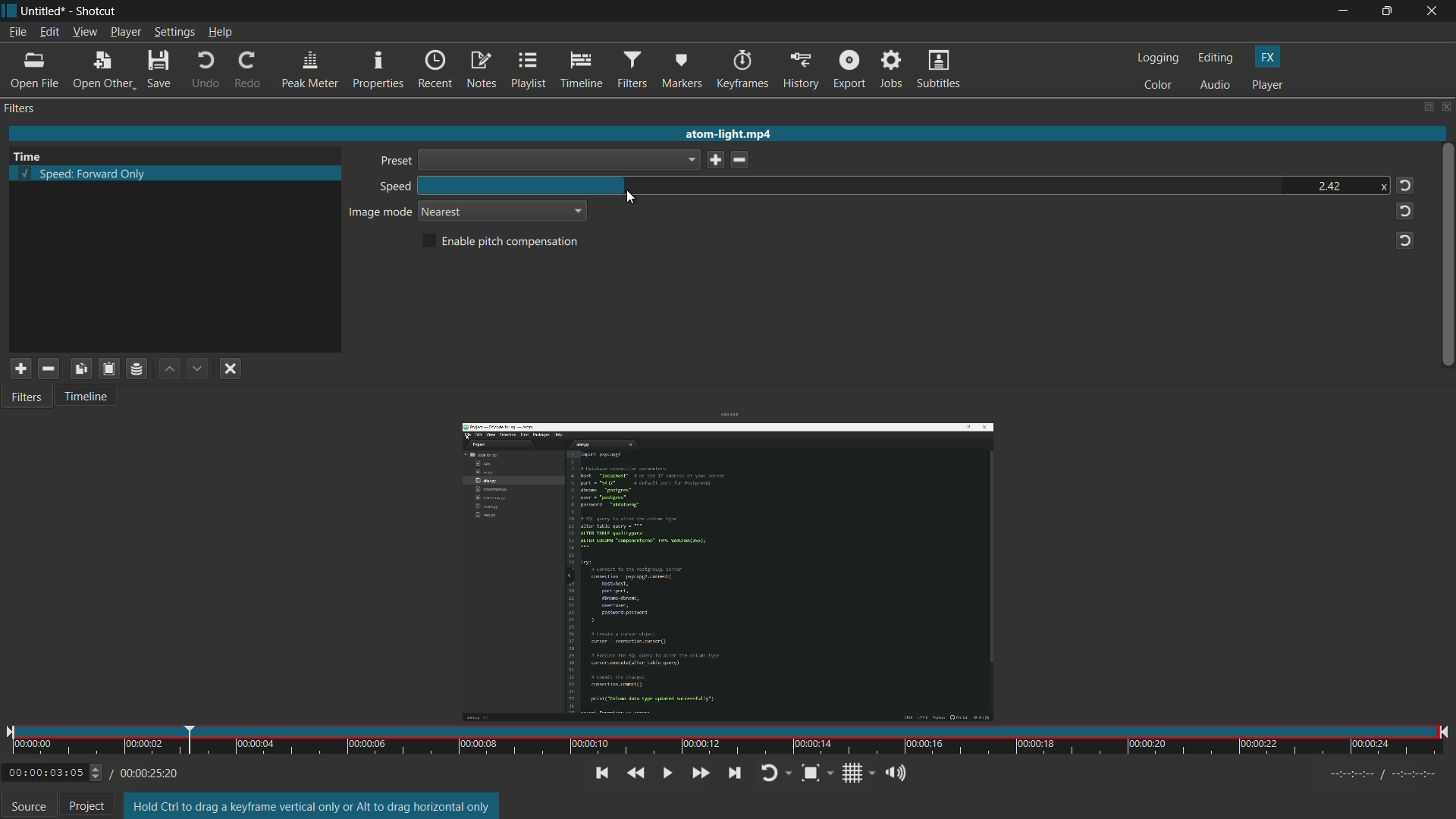 This screenshot has height=819, width=1456. What do you see at coordinates (54, 771) in the screenshot?
I see `00:00:03:05` at bounding box center [54, 771].